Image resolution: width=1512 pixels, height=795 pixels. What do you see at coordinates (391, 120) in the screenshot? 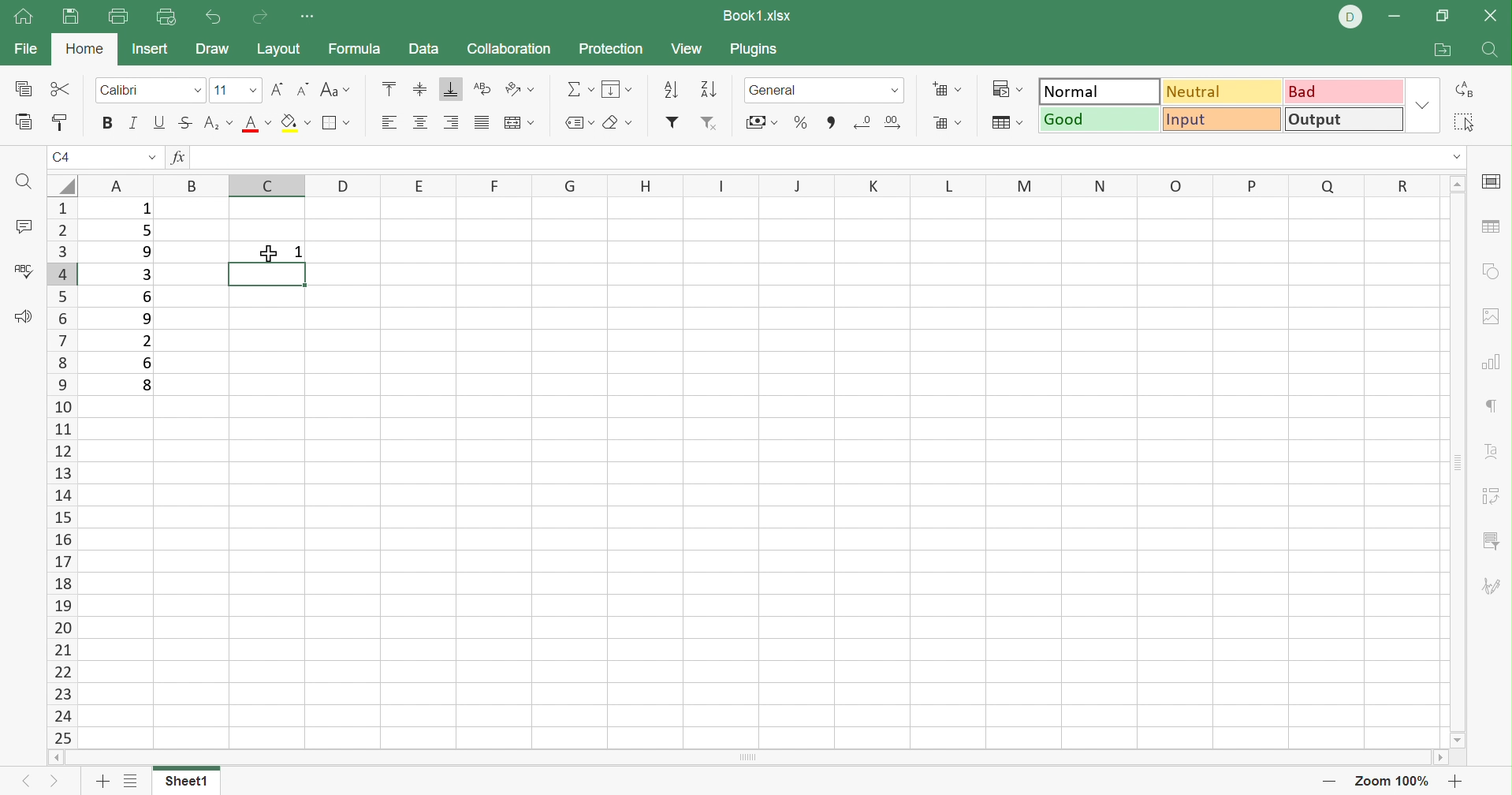
I see `Align left` at bounding box center [391, 120].